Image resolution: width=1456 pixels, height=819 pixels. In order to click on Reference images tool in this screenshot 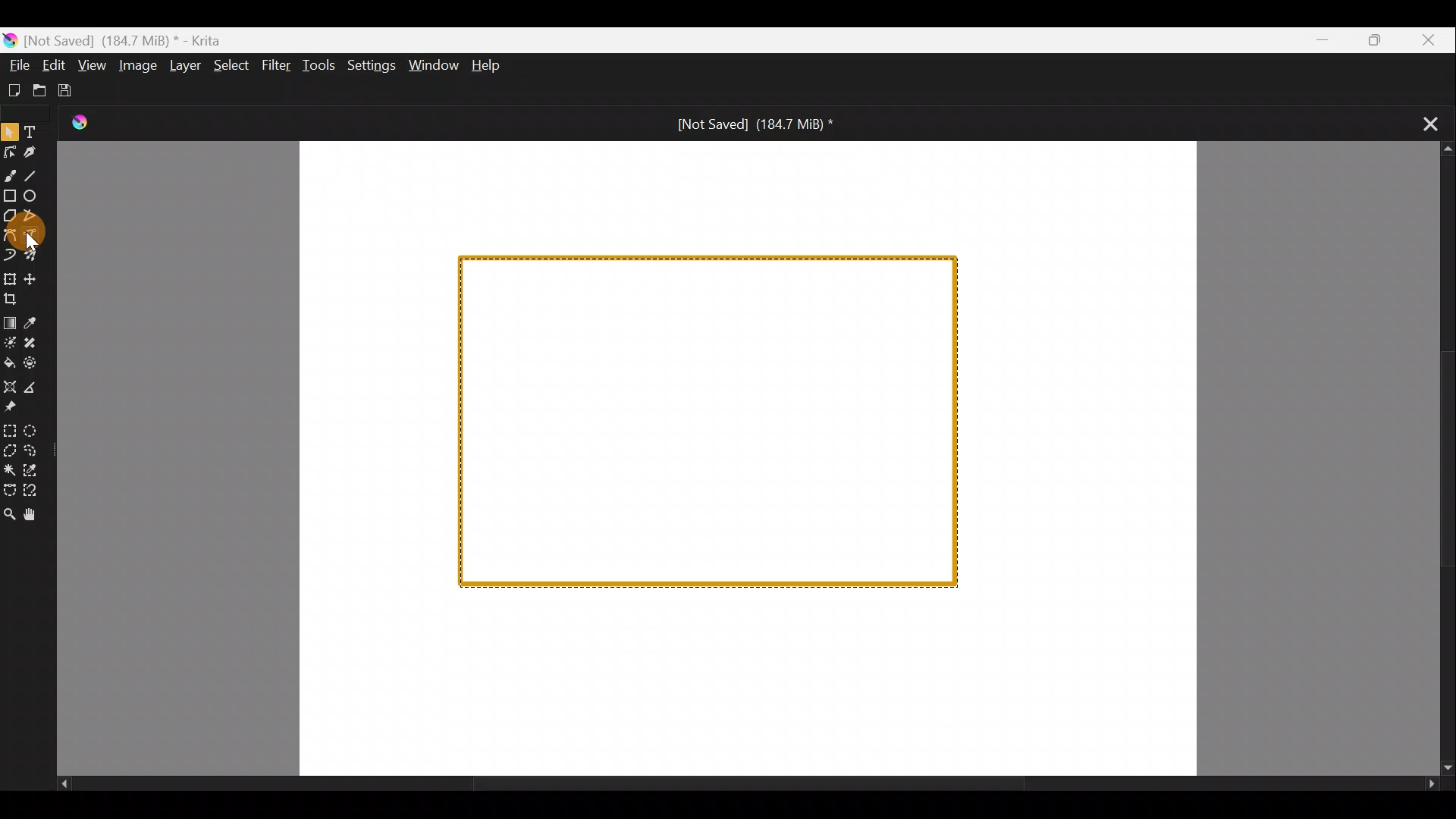, I will do `click(17, 408)`.